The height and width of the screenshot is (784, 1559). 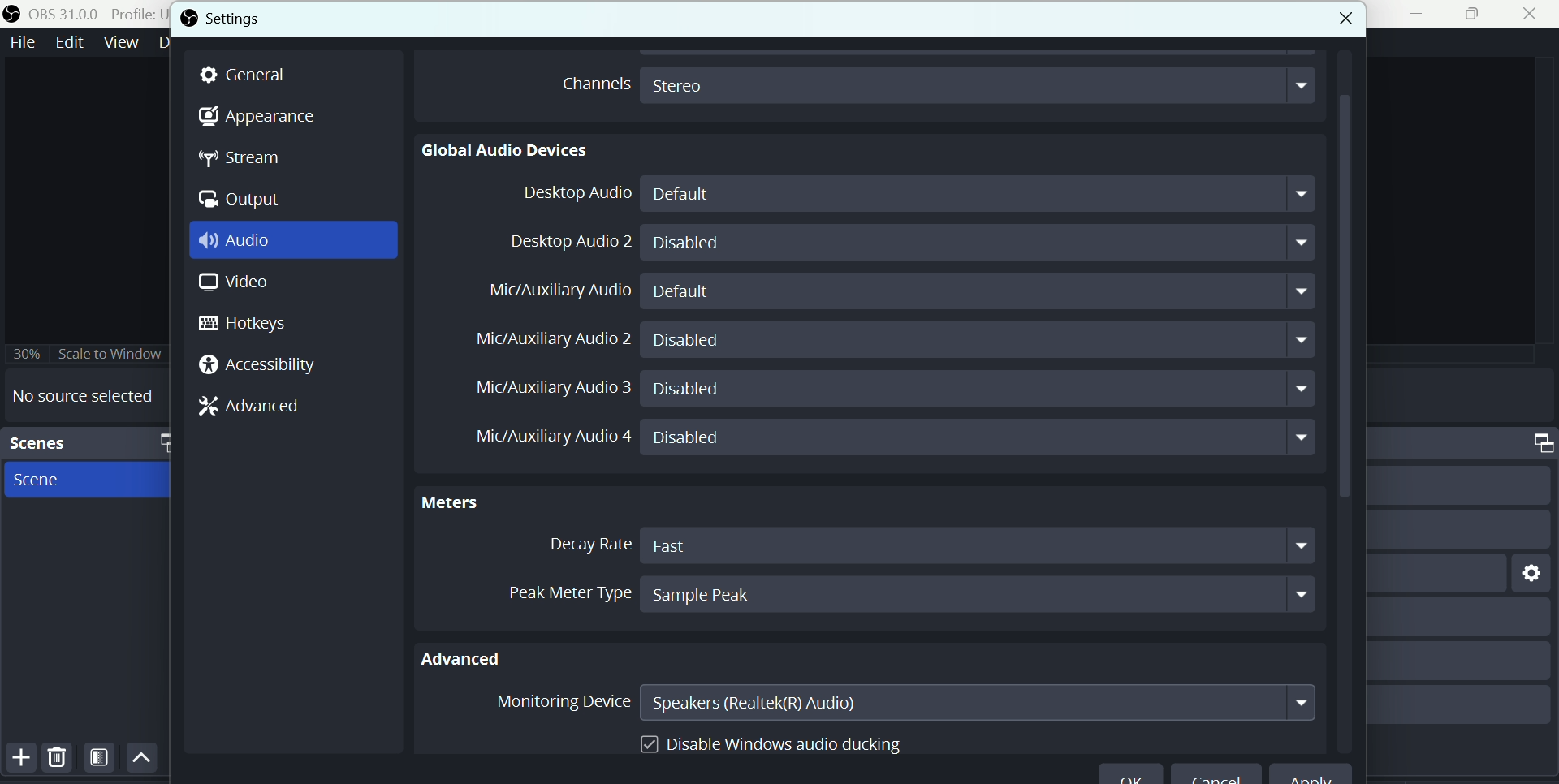 I want to click on Up, so click(x=141, y=759).